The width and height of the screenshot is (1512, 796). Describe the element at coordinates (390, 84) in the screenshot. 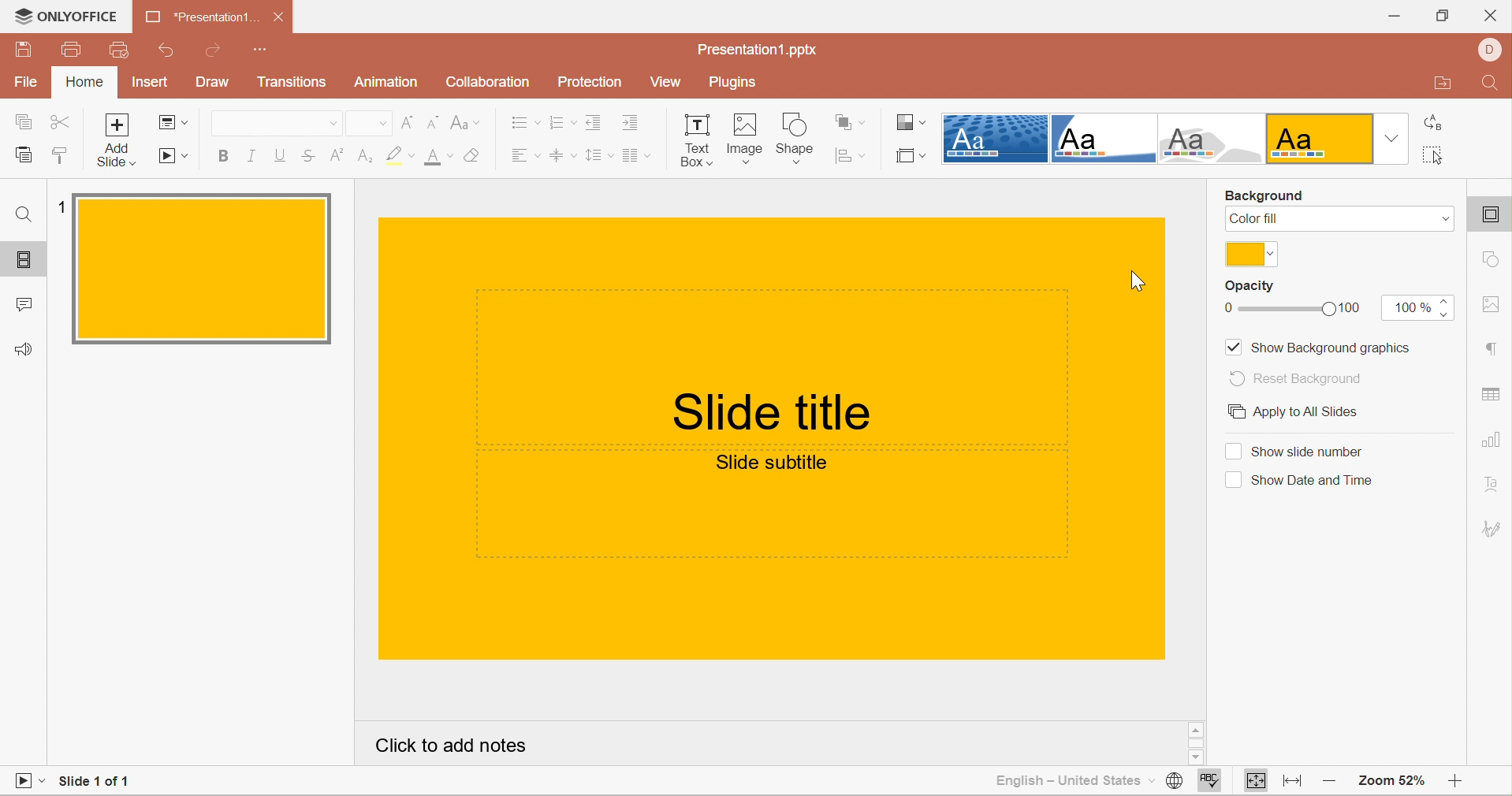

I see `Animation` at that location.